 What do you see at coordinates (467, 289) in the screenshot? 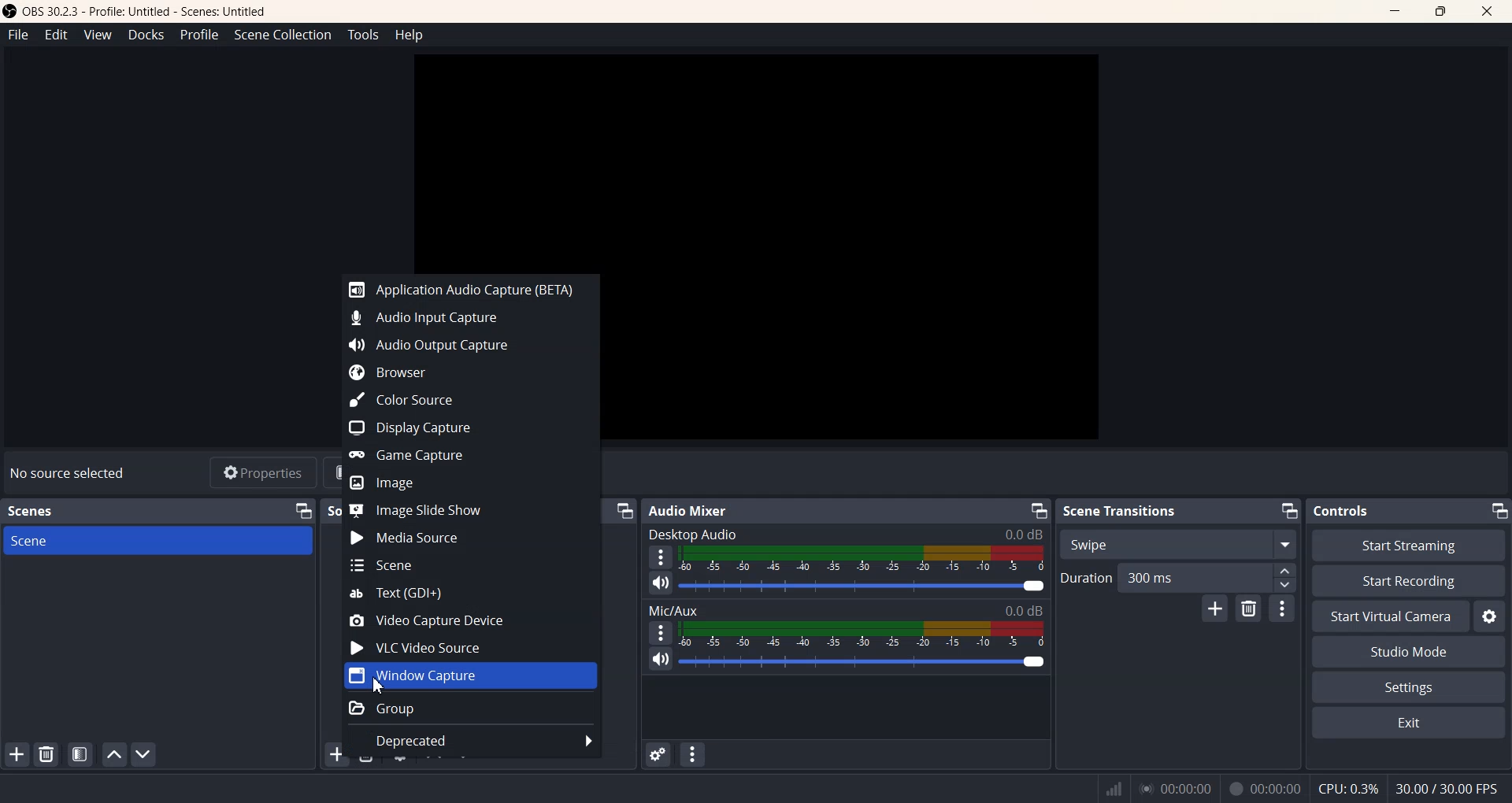
I see `Application Audio Capture (BETA)` at bounding box center [467, 289].